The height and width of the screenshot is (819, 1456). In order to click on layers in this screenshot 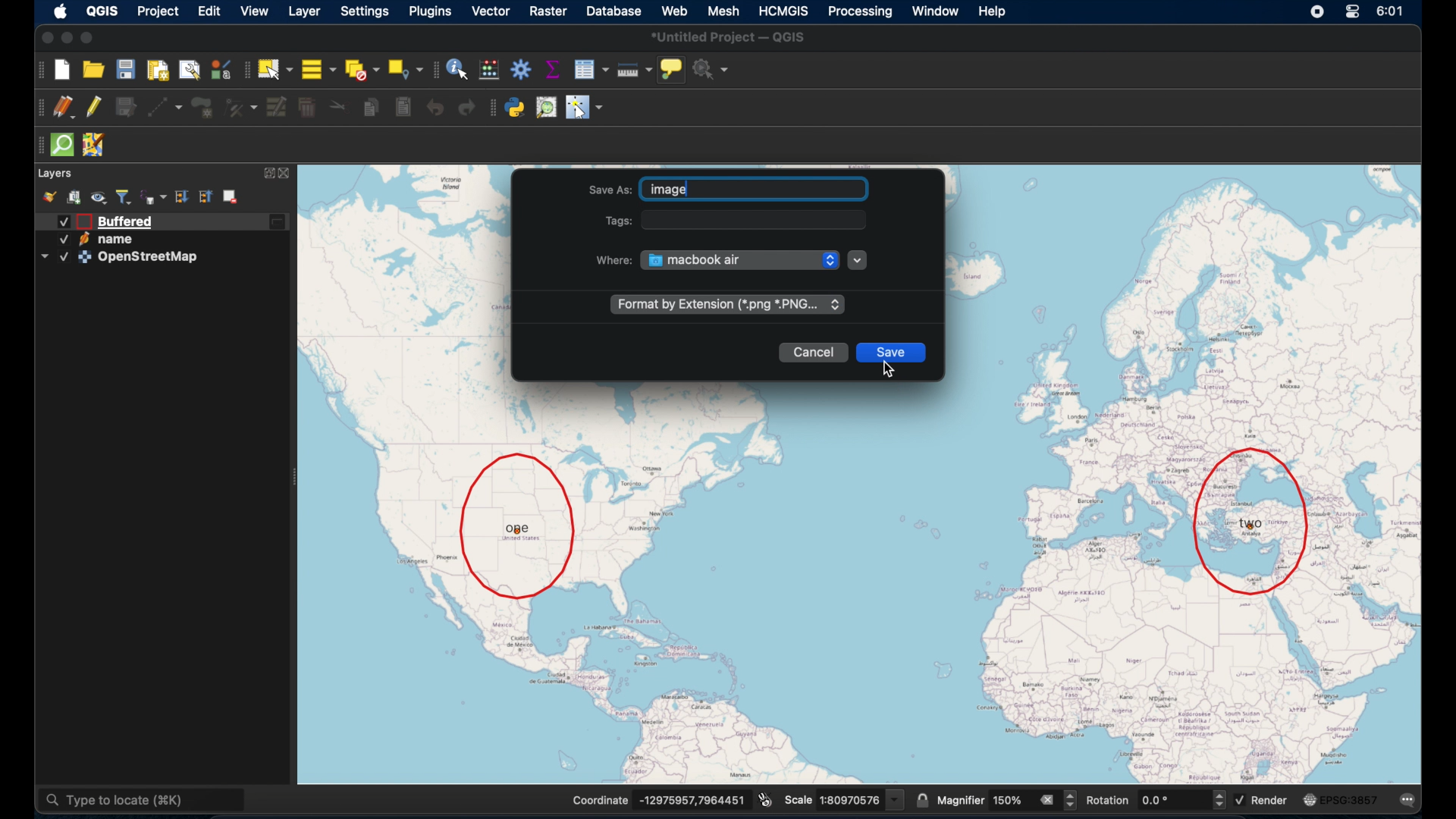, I will do `click(55, 173)`.